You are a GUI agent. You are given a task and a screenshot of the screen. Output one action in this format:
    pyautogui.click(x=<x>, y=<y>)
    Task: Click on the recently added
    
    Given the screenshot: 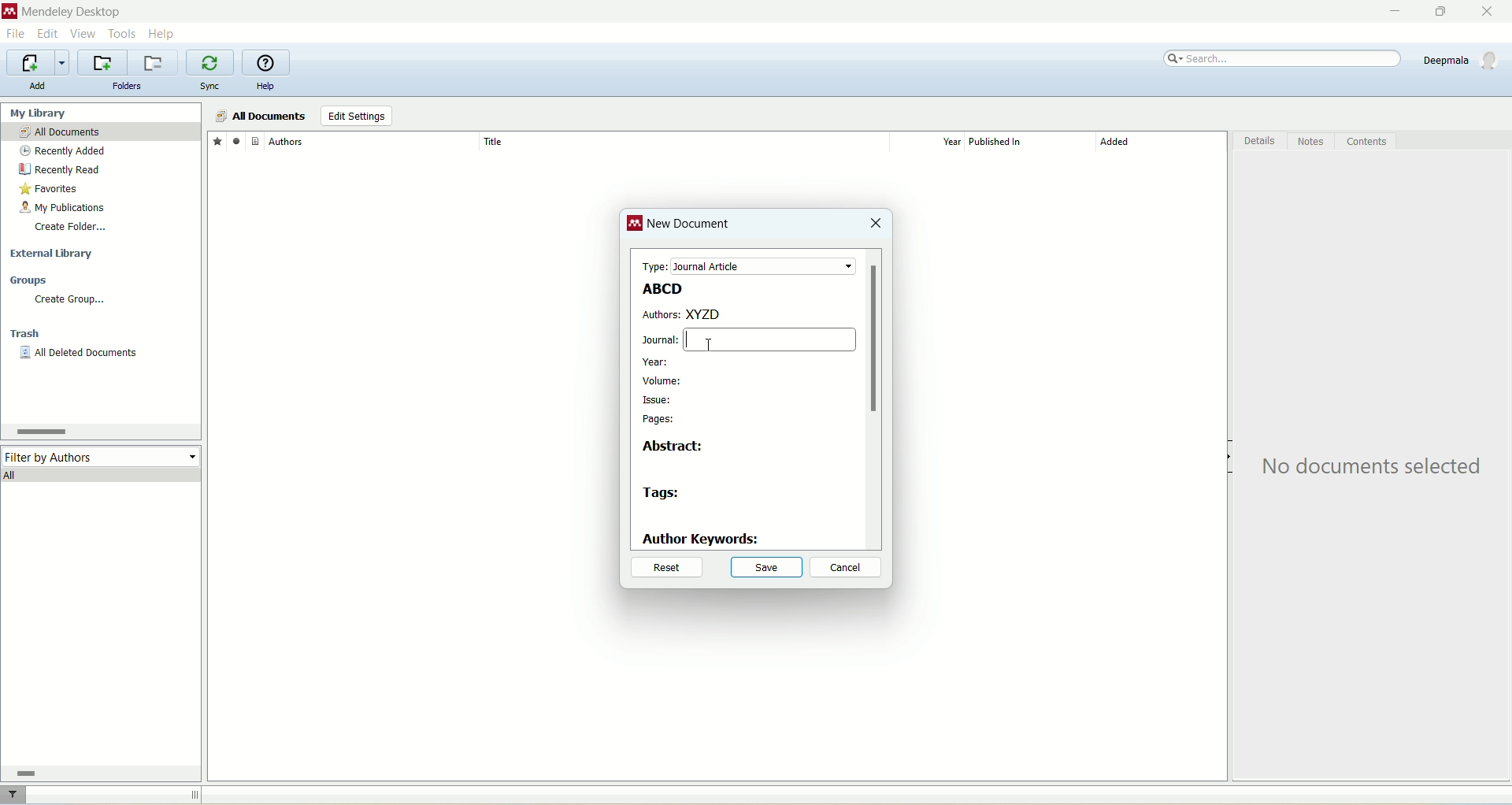 What is the action you would take?
    pyautogui.click(x=63, y=151)
    